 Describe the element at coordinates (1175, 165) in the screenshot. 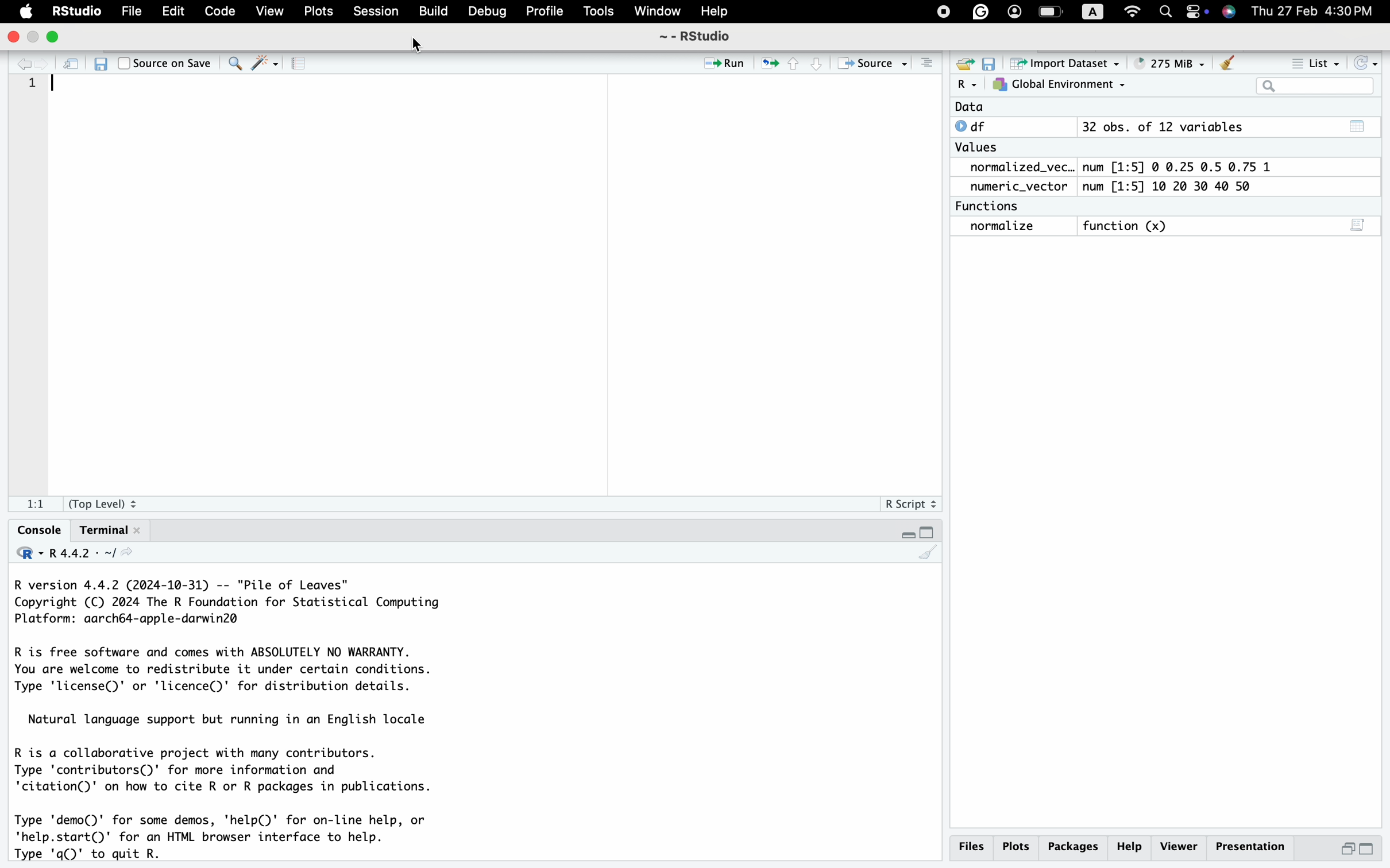

I see `num [1:5] 0 0.25 0.5 0.75 1` at that location.